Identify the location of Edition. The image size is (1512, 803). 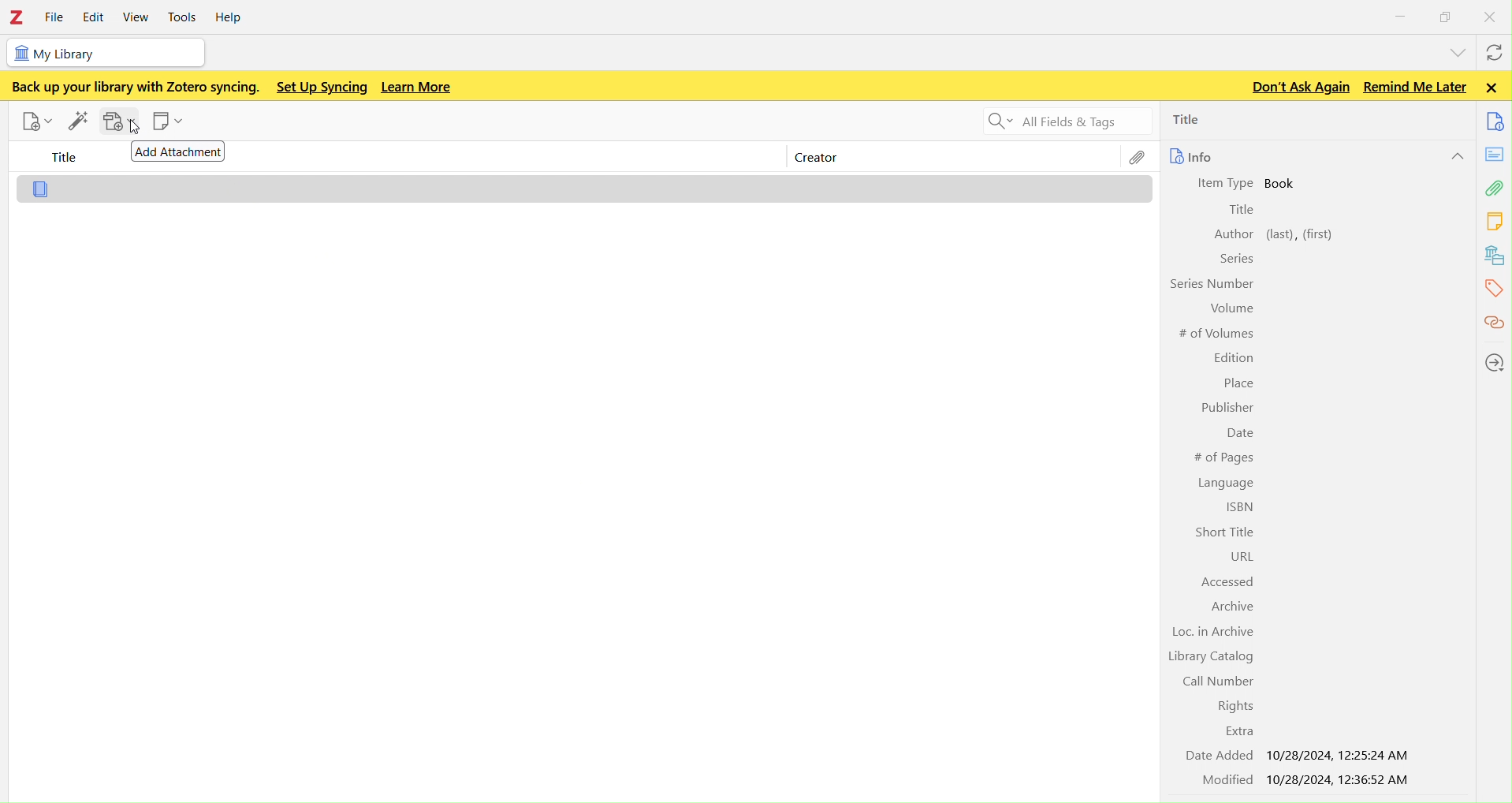
(1230, 357).